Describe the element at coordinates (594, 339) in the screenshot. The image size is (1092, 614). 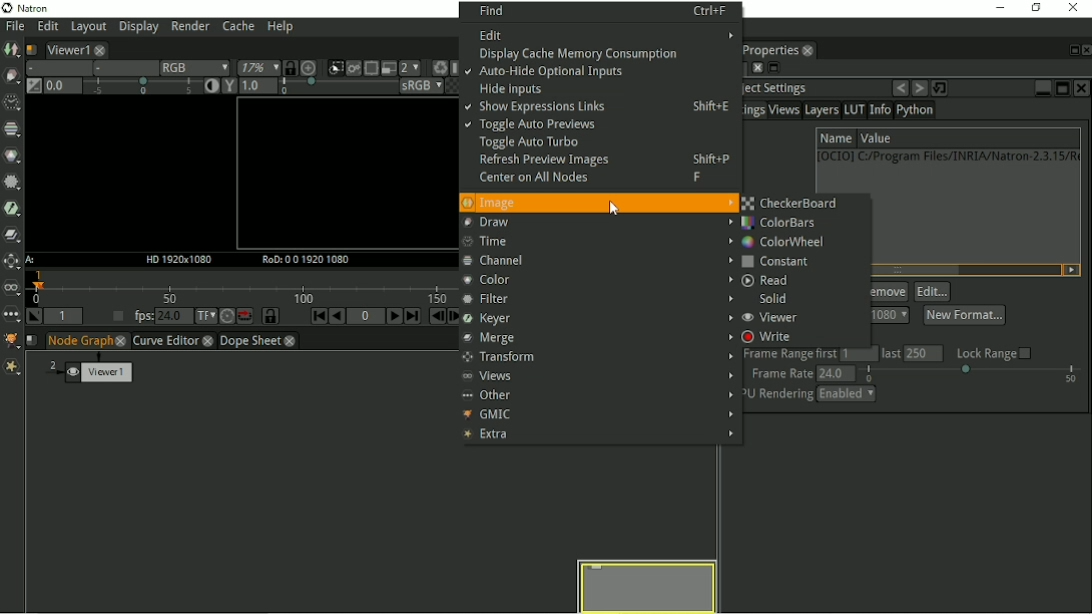
I see `Merge` at that location.